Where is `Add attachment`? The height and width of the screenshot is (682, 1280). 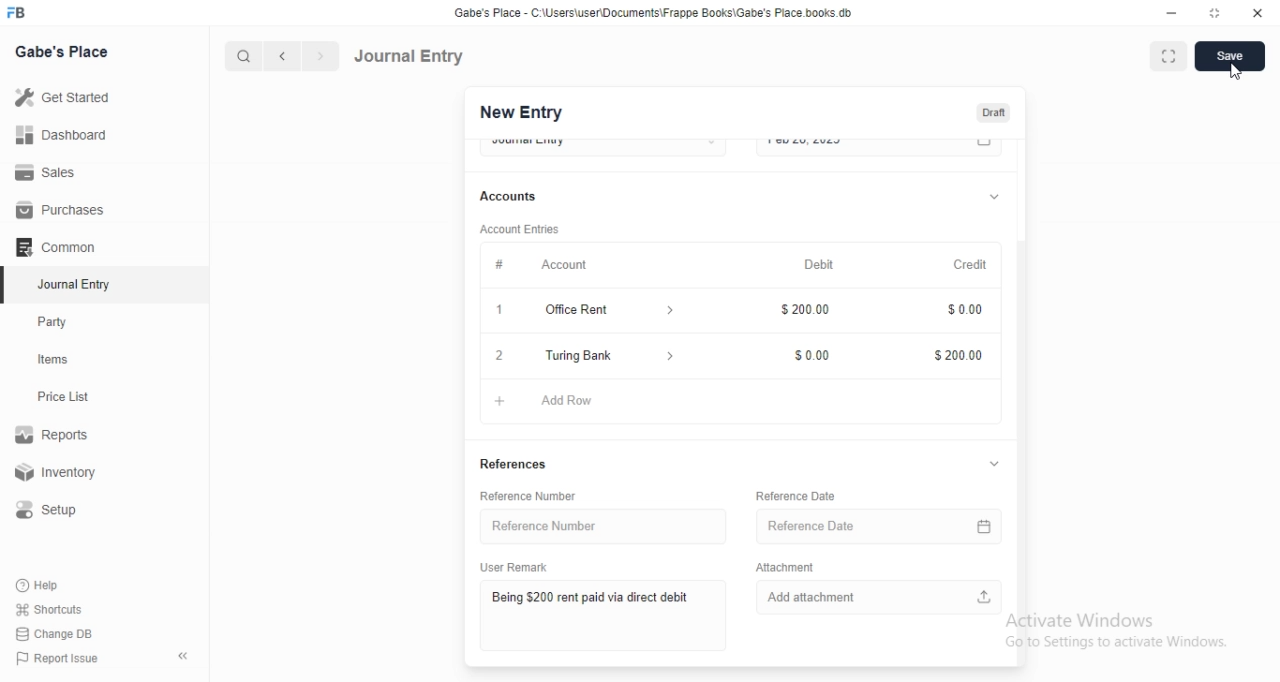
Add attachment is located at coordinates (882, 599).